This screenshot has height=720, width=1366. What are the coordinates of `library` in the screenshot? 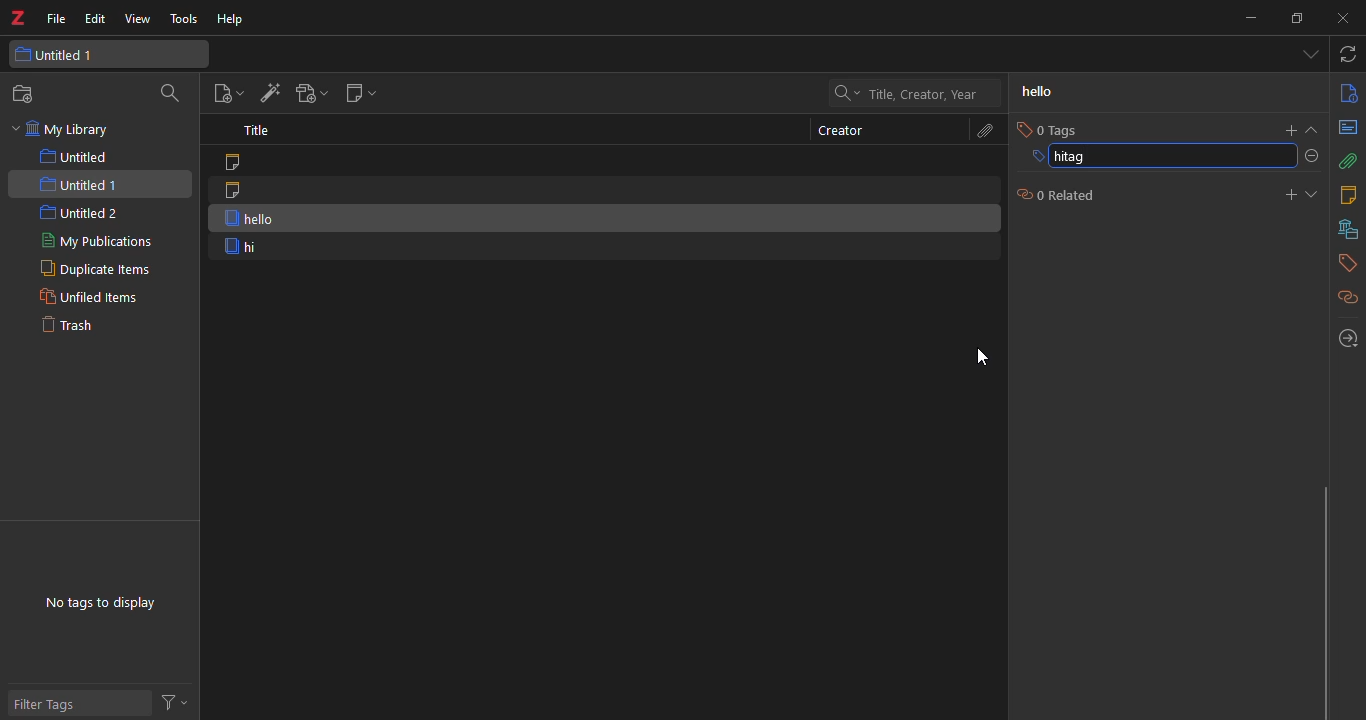 It's located at (1345, 229).